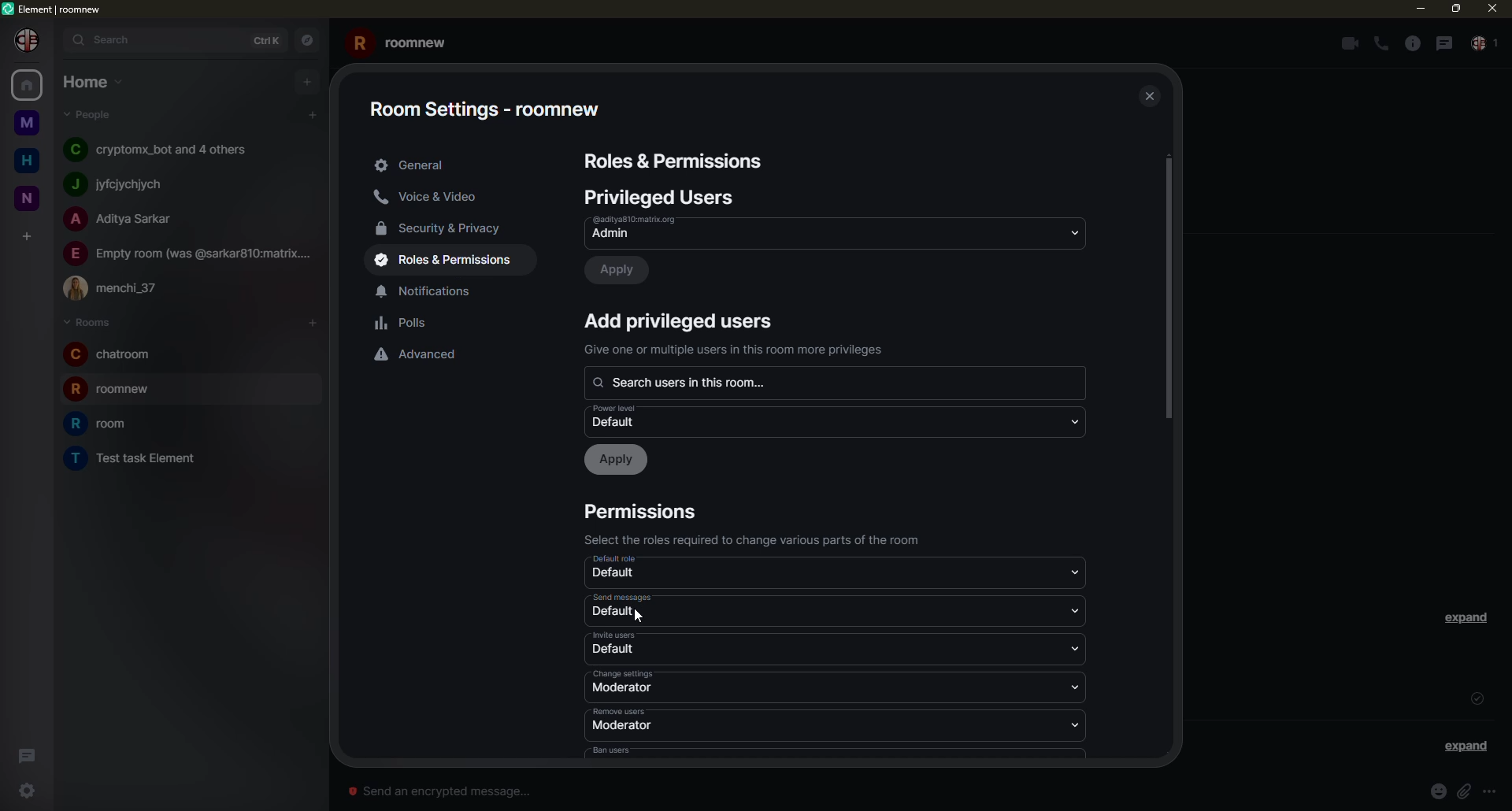 This screenshot has height=811, width=1512. I want to click on priviledge, so click(738, 350).